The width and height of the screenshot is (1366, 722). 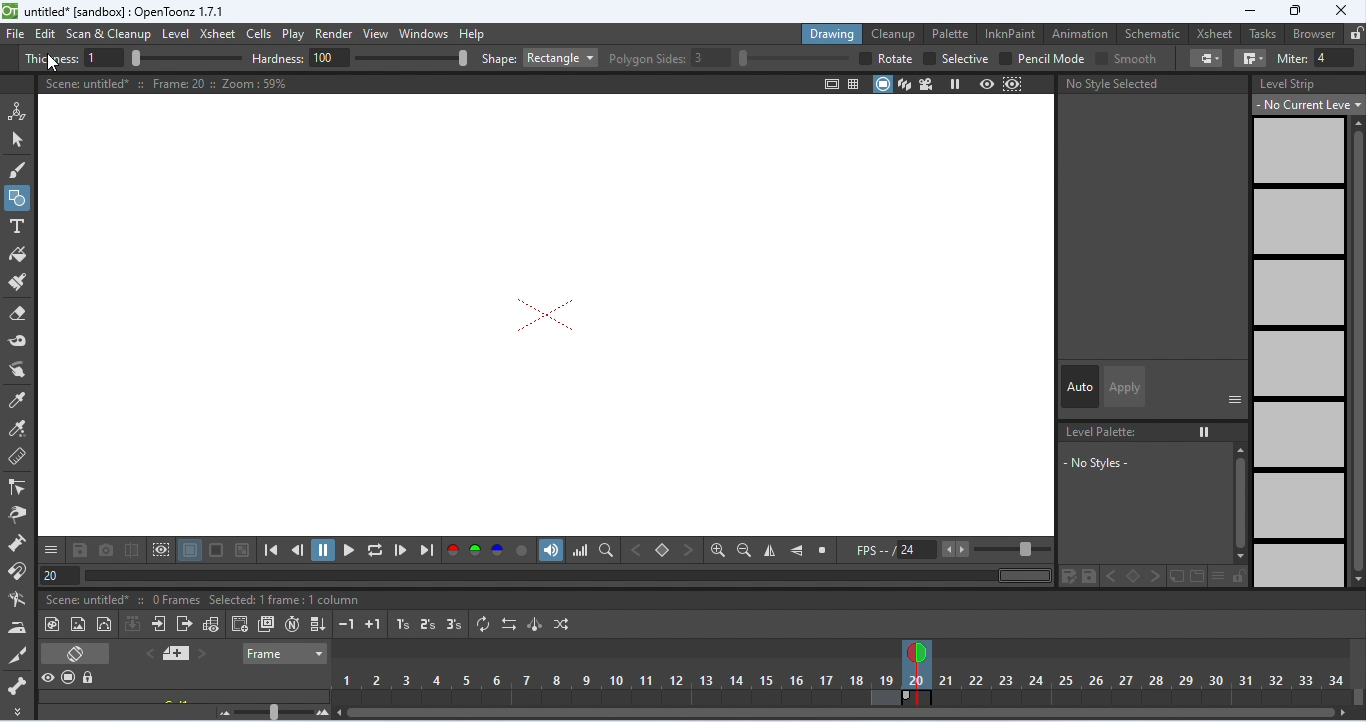 I want to click on scan and clean up, so click(x=107, y=35).